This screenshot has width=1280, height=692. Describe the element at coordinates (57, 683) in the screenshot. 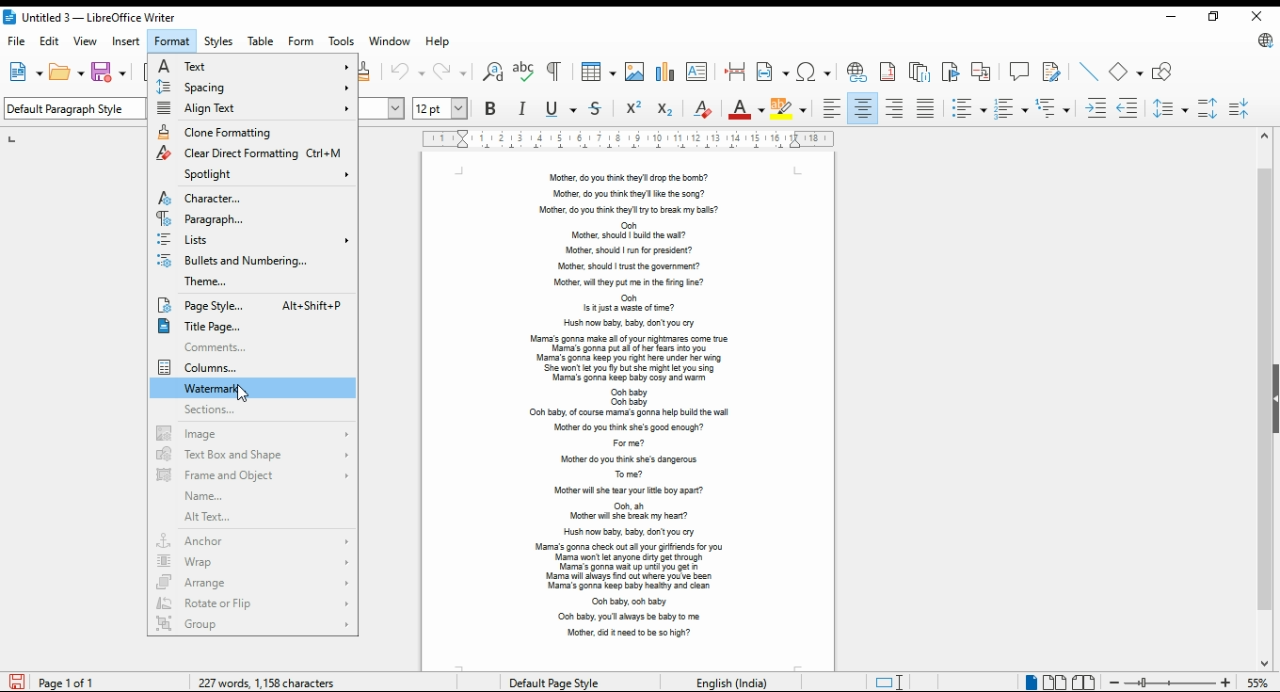

I see `page info` at that location.